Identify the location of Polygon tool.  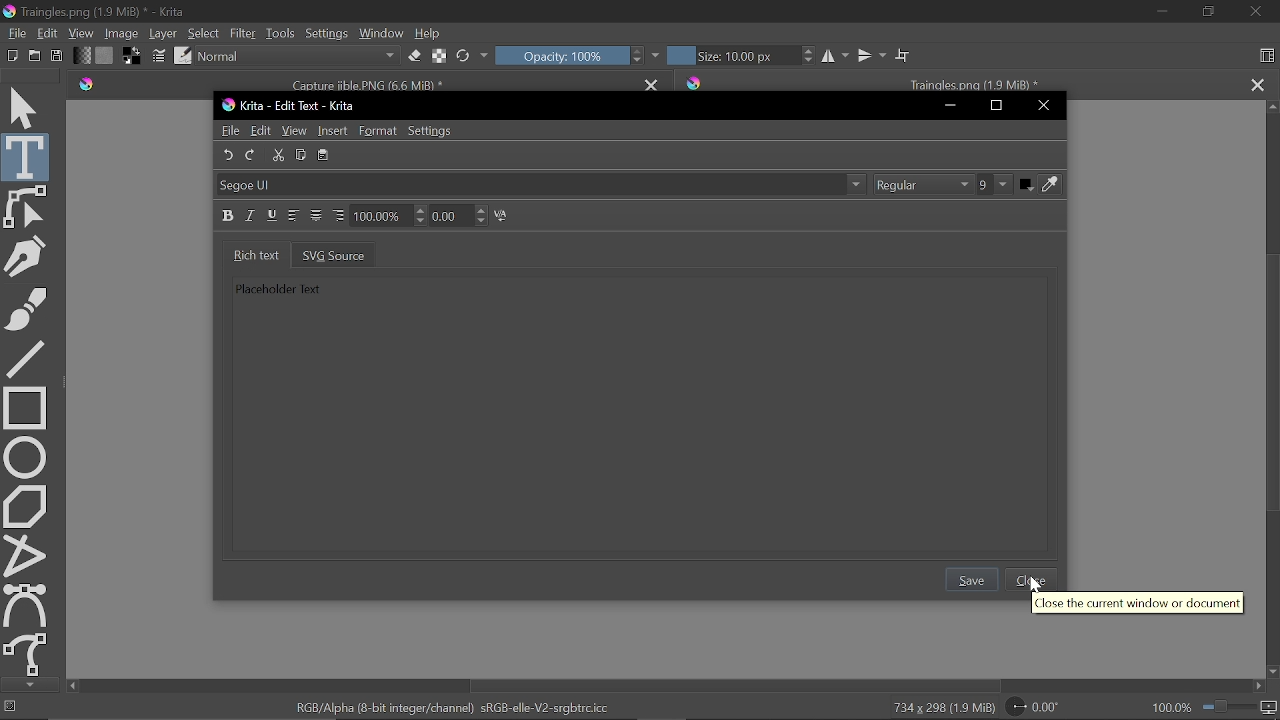
(26, 505).